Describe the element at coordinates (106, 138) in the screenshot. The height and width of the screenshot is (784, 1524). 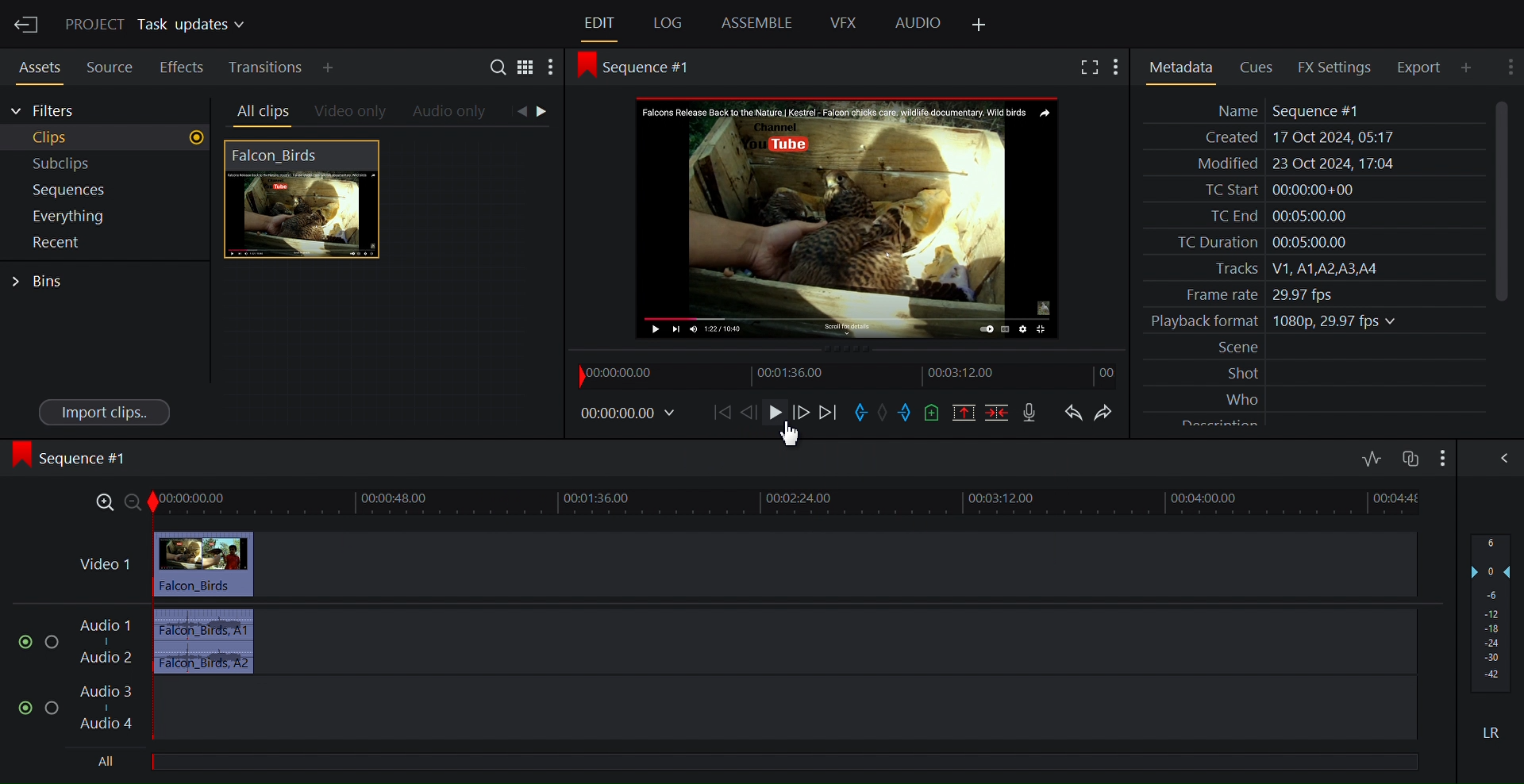
I see `Clips` at that location.